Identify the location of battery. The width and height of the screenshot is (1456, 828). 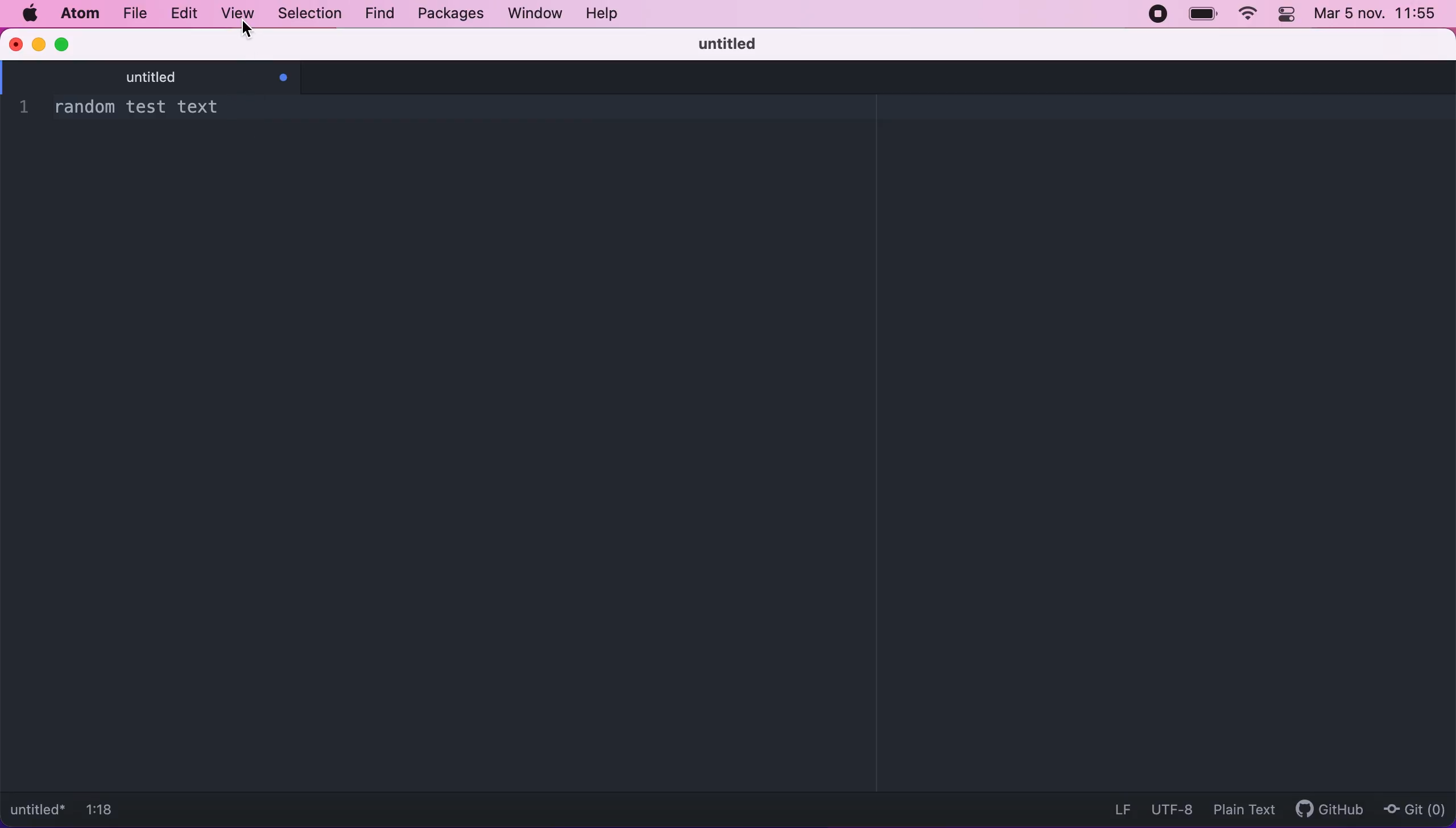
(1198, 18).